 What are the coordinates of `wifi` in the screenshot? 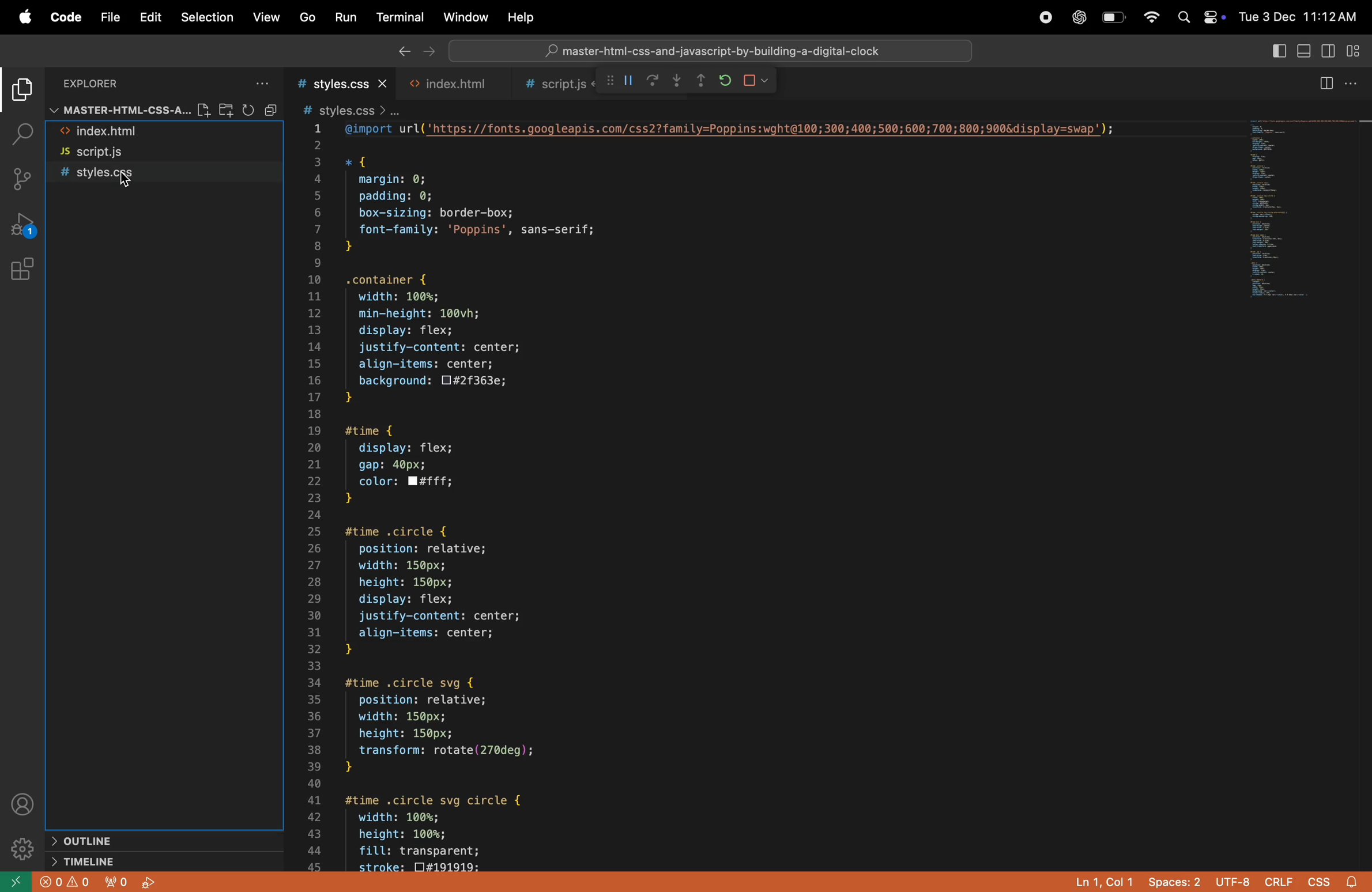 It's located at (1150, 16).